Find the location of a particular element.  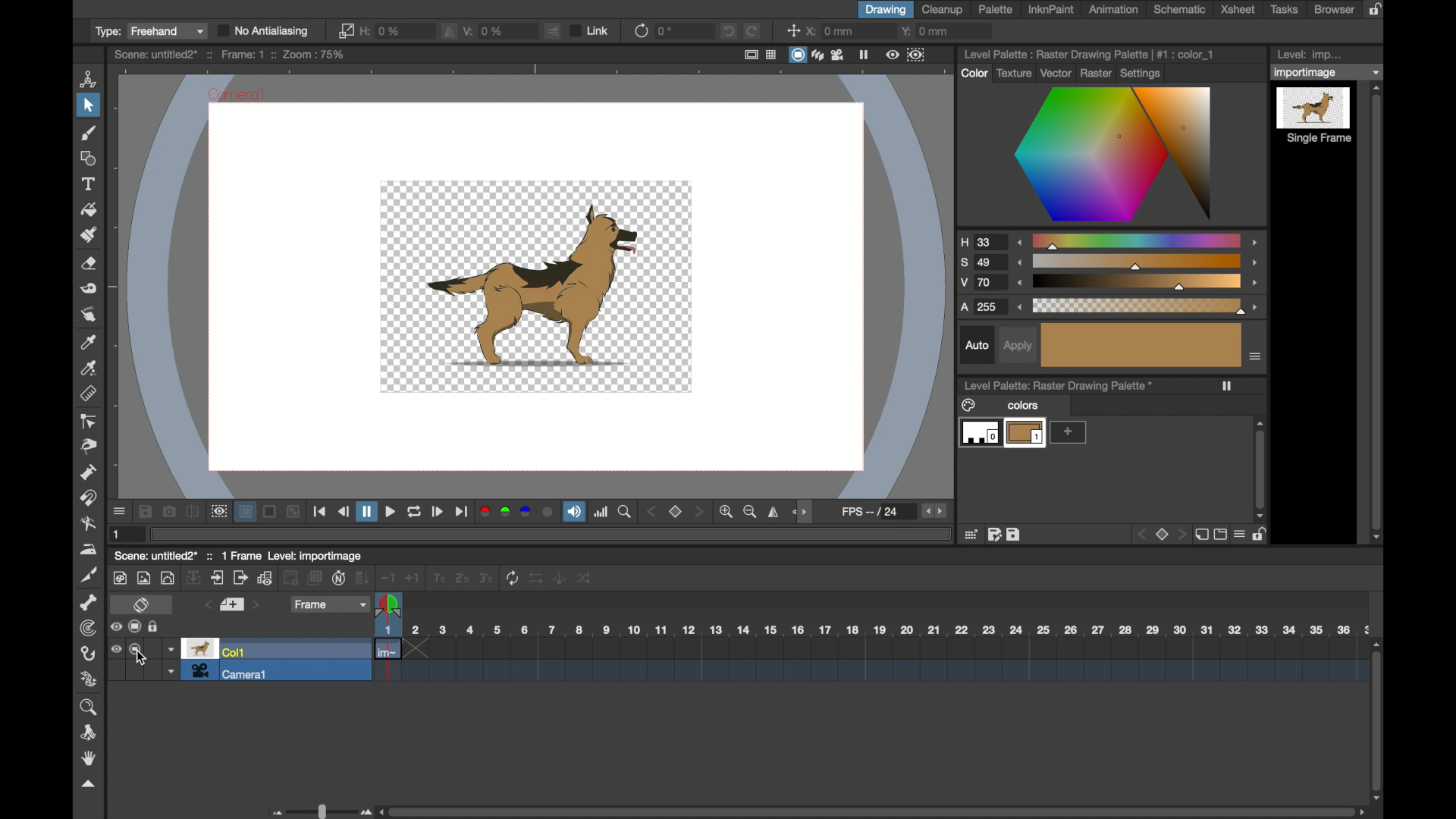

circle is located at coordinates (168, 577).